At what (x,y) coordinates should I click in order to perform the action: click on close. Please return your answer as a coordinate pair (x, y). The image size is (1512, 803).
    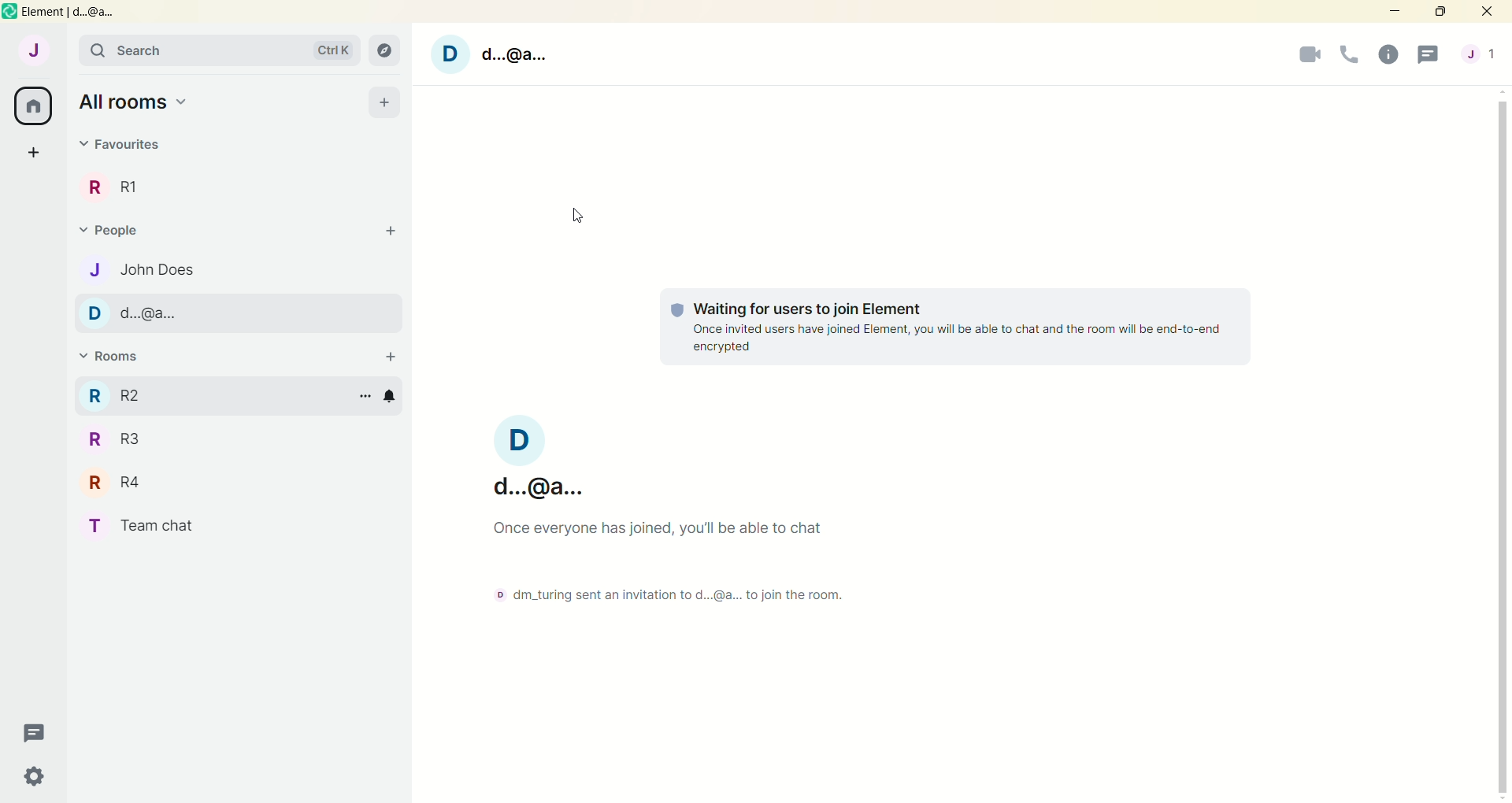
    Looking at the image, I should click on (1486, 11).